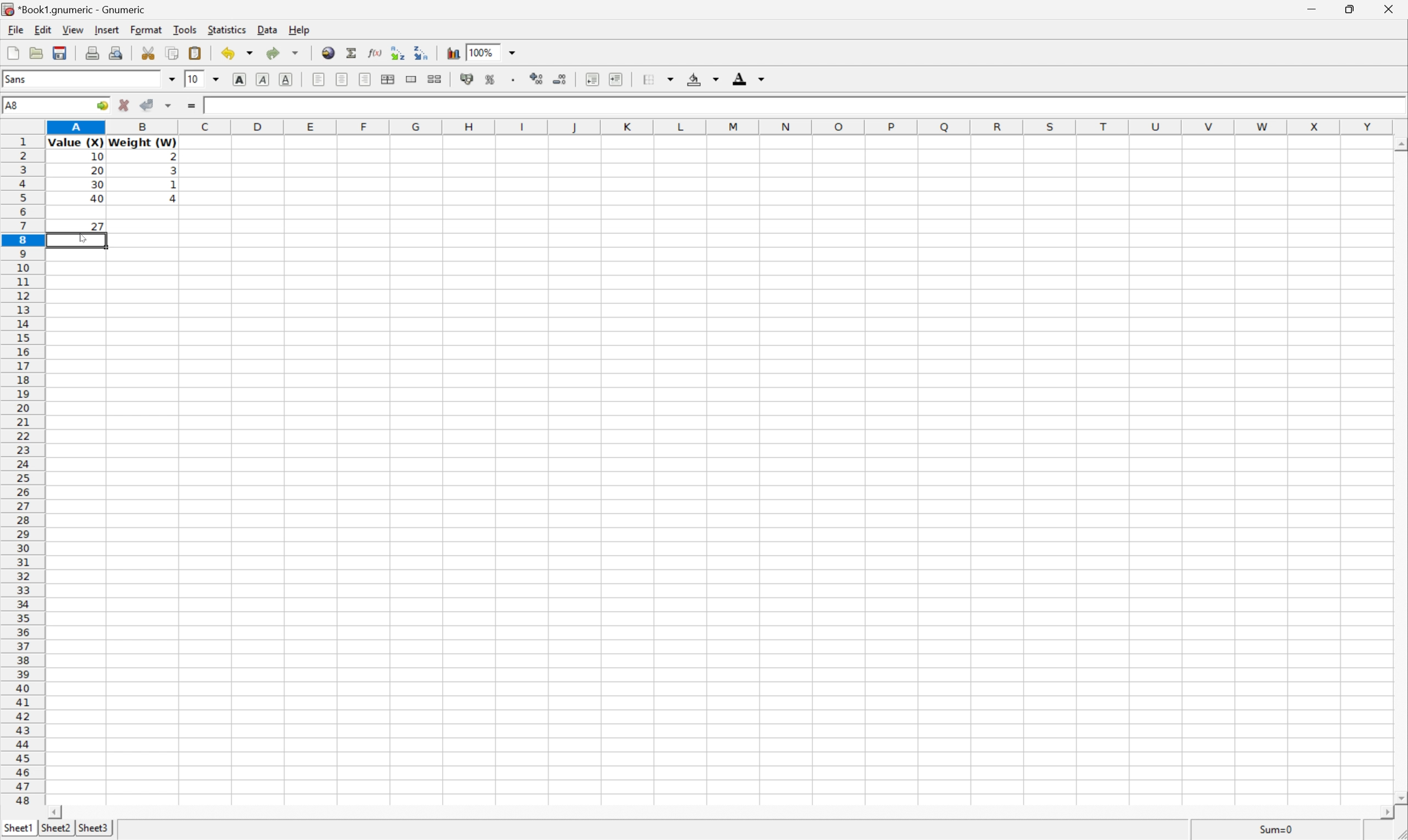 Image resolution: width=1408 pixels, height=840 pixels. I want to click on Decrease the number of decimals displayed, so click(562, 79).